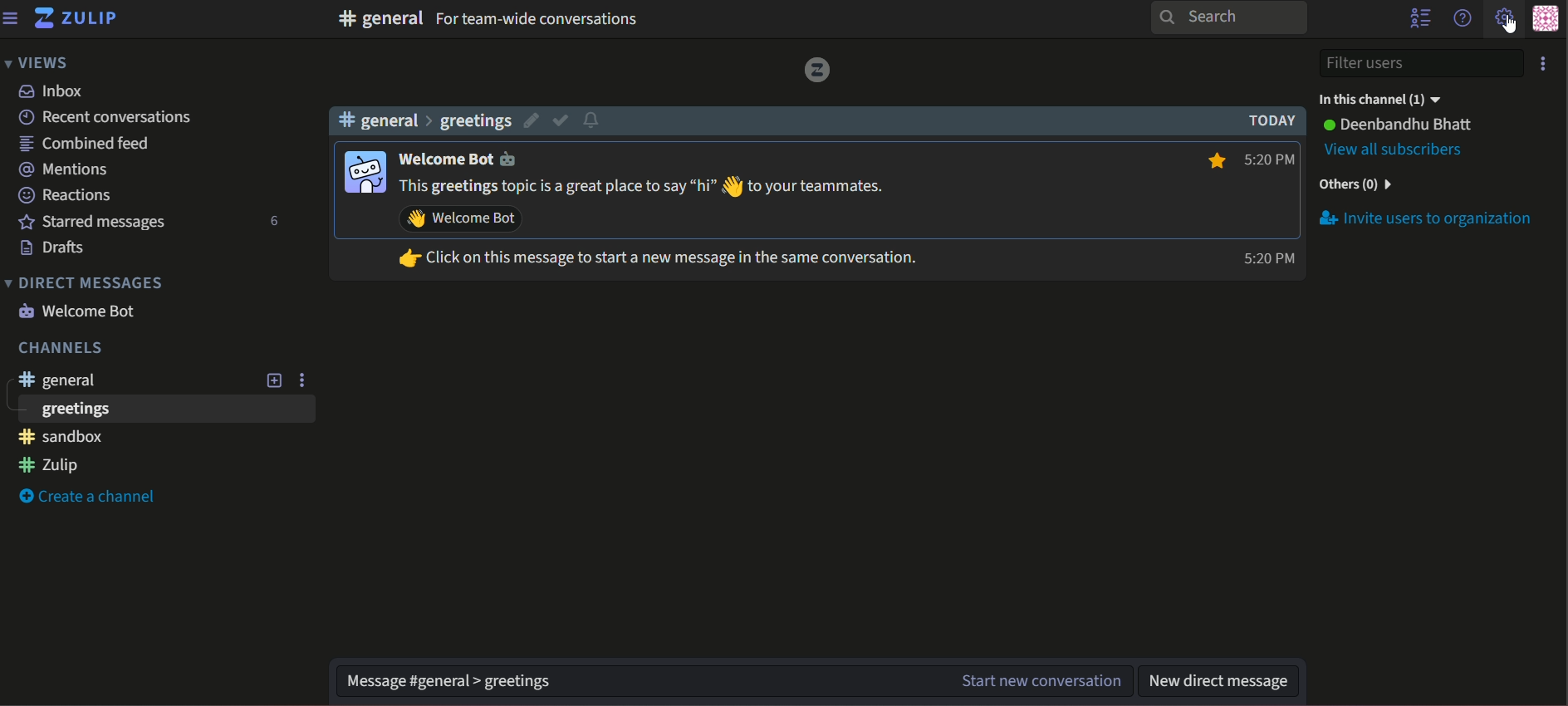 The image size is (1568, 706). I want to click on profile, so click(1547, 17).